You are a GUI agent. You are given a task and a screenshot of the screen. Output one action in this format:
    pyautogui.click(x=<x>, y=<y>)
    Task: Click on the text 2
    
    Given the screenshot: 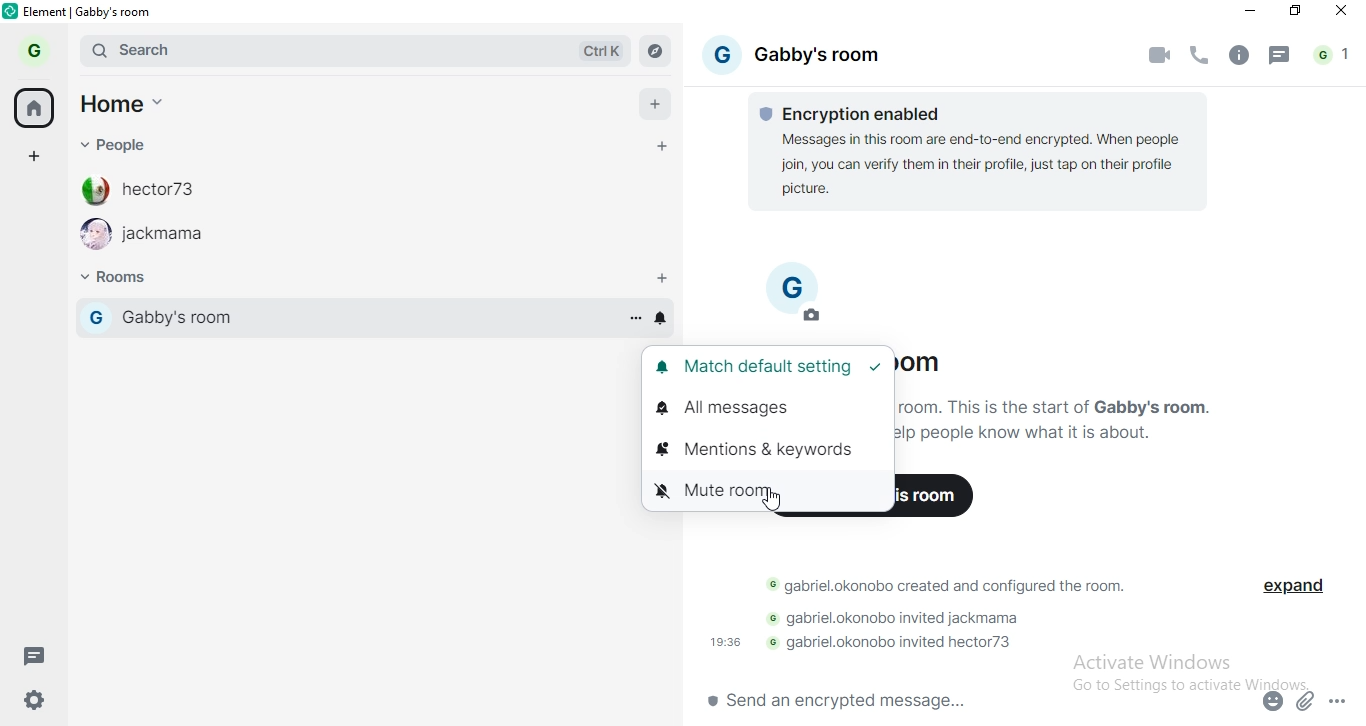 What is the action you would take?
    pyautogui.click(x=951, y=586)
    